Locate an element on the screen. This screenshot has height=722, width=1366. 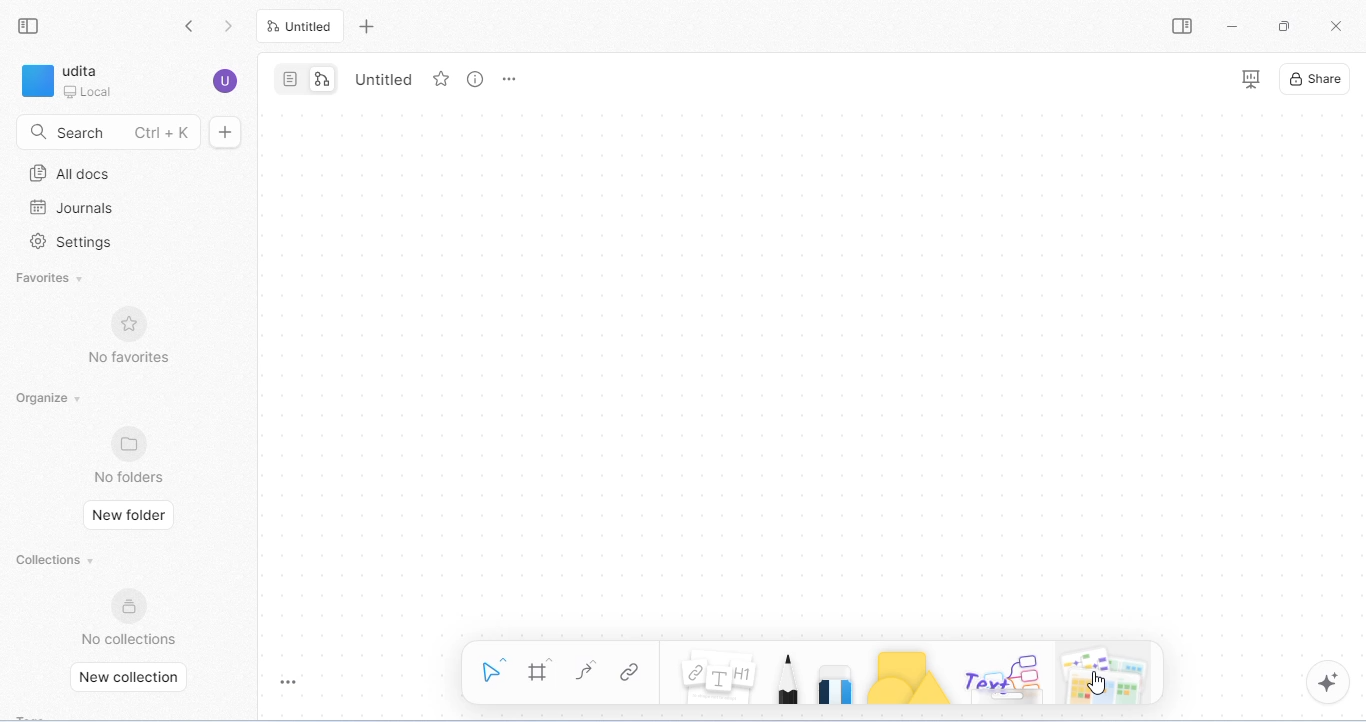
account is located at coordinates (226, 81).